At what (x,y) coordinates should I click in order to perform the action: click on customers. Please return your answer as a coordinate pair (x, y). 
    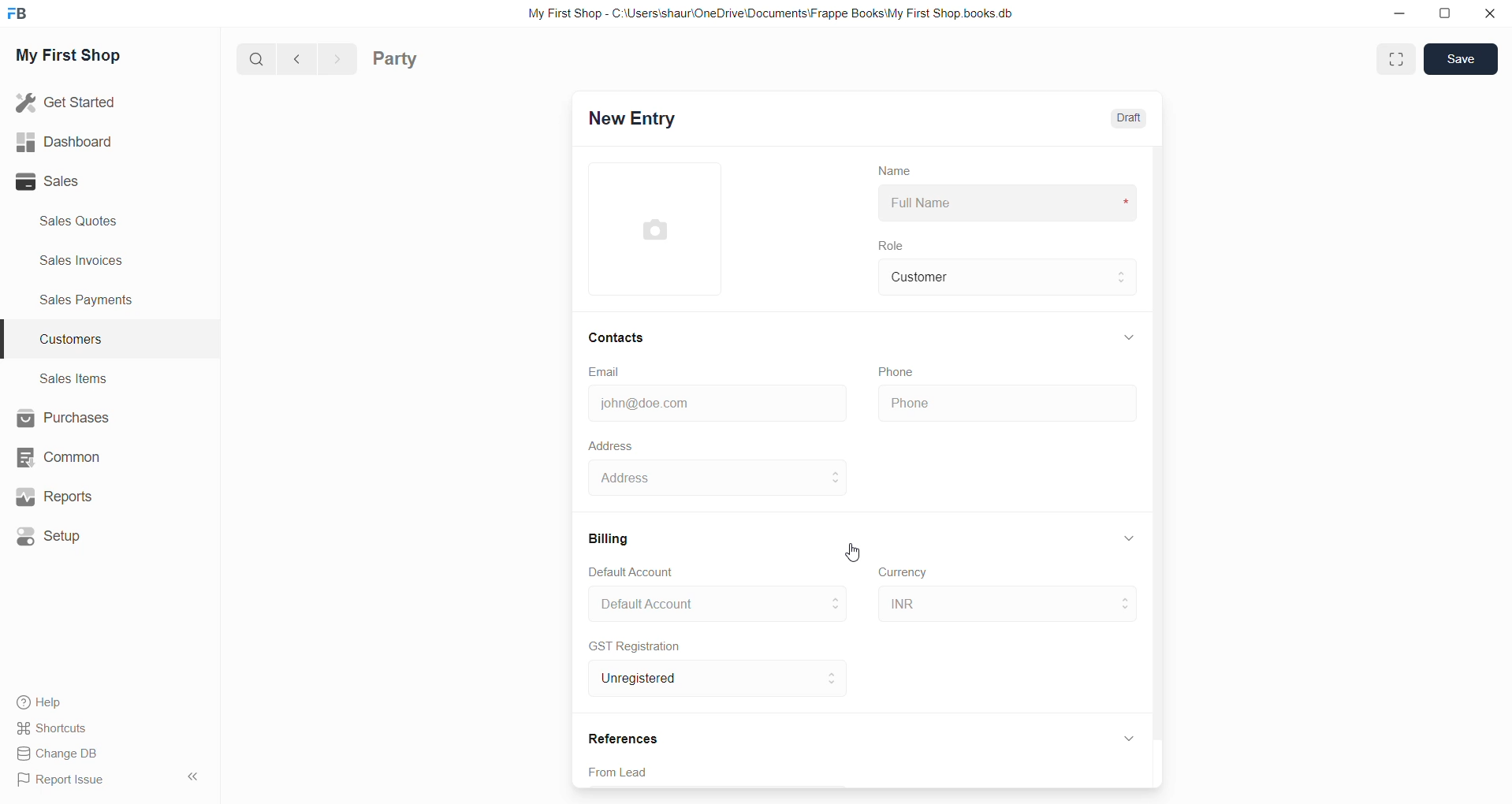
    Looking at the image, I should click on (83, 341).